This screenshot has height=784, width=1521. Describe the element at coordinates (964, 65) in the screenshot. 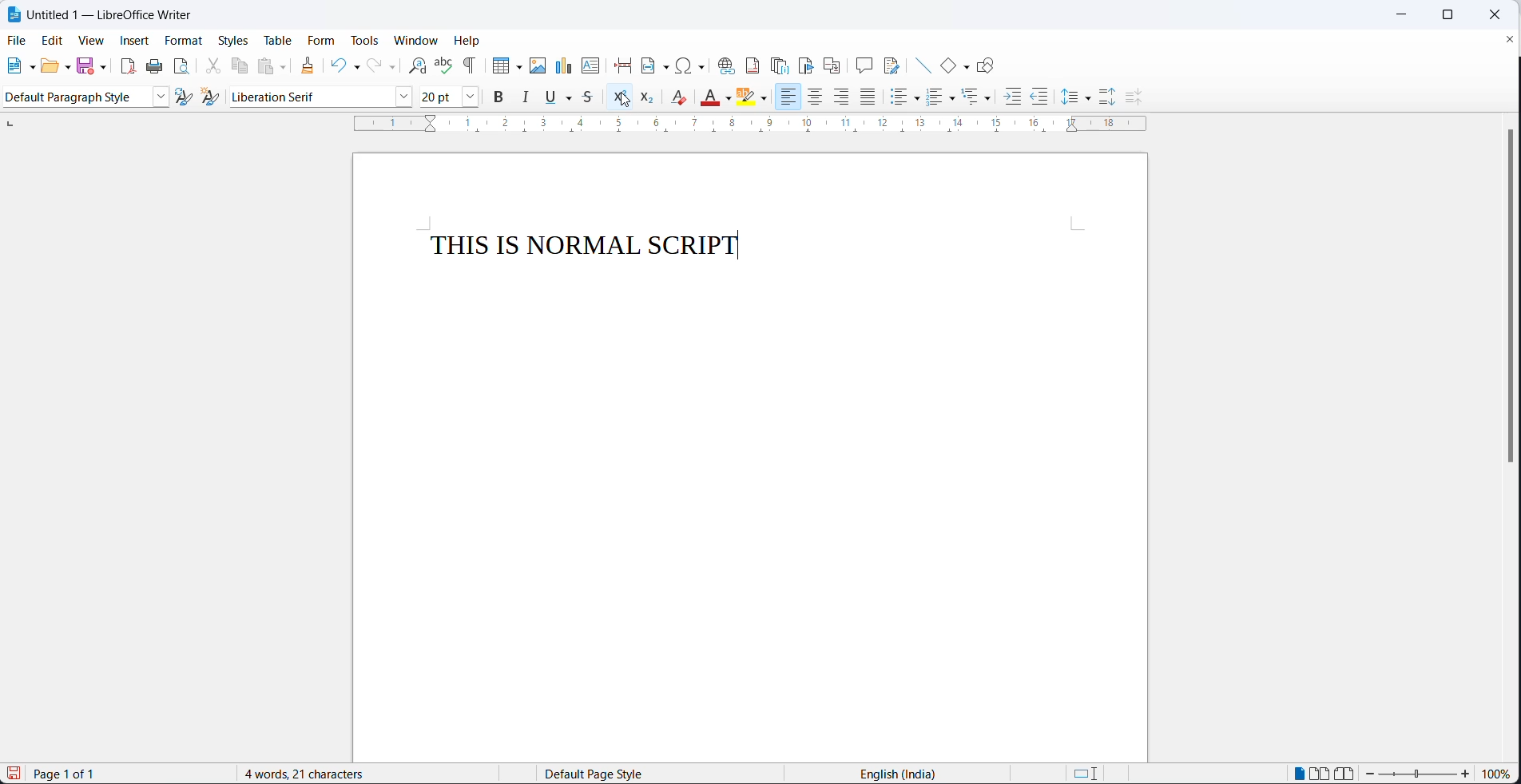

I see `basic shapes options` at that location.